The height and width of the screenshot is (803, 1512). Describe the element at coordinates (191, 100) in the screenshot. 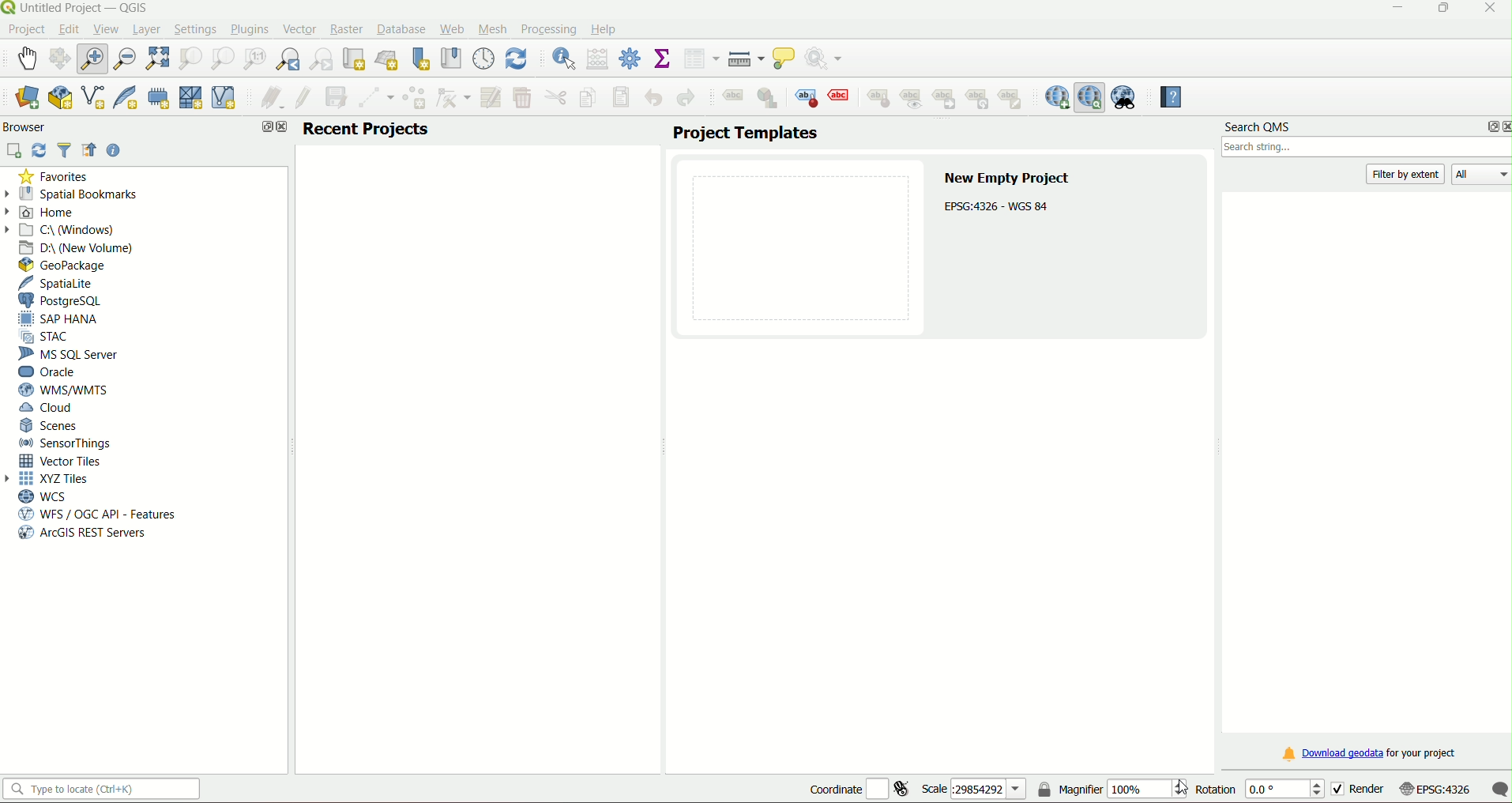

I see `new mesh layer` at that location.